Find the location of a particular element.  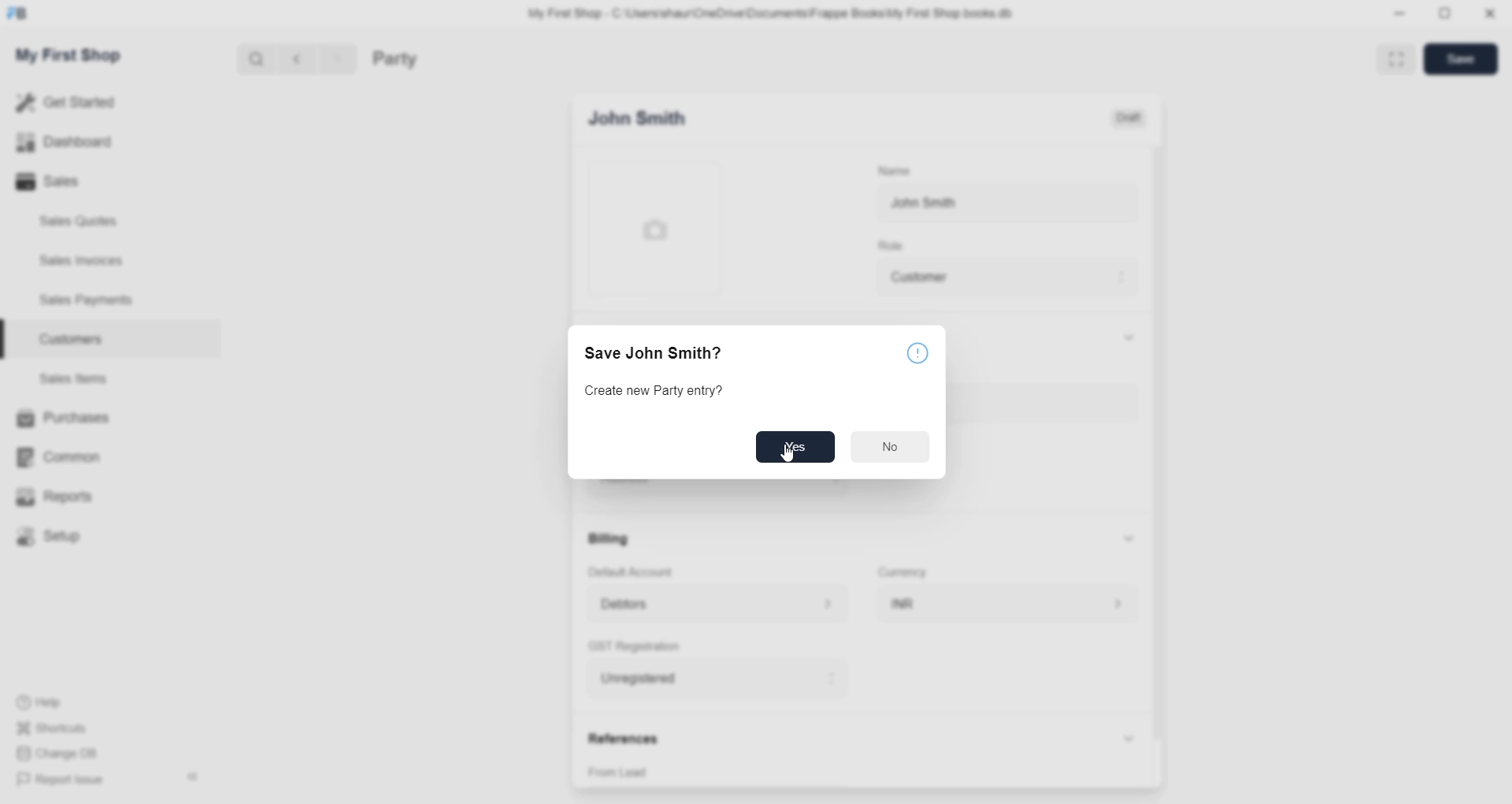

Create new Party ever? is located at coordinates (658, 391).